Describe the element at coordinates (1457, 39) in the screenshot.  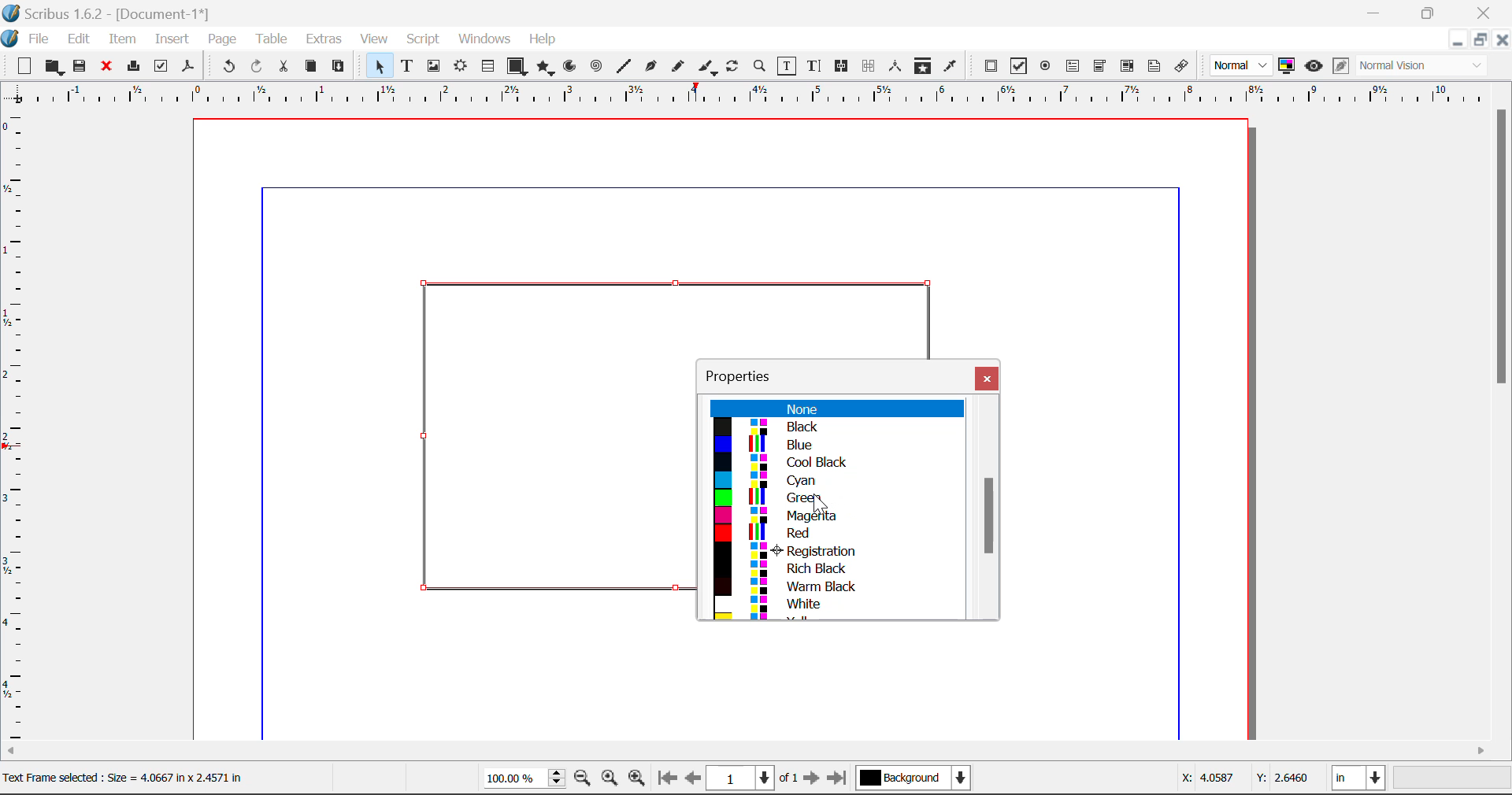
I see `Restore Down` at that location.